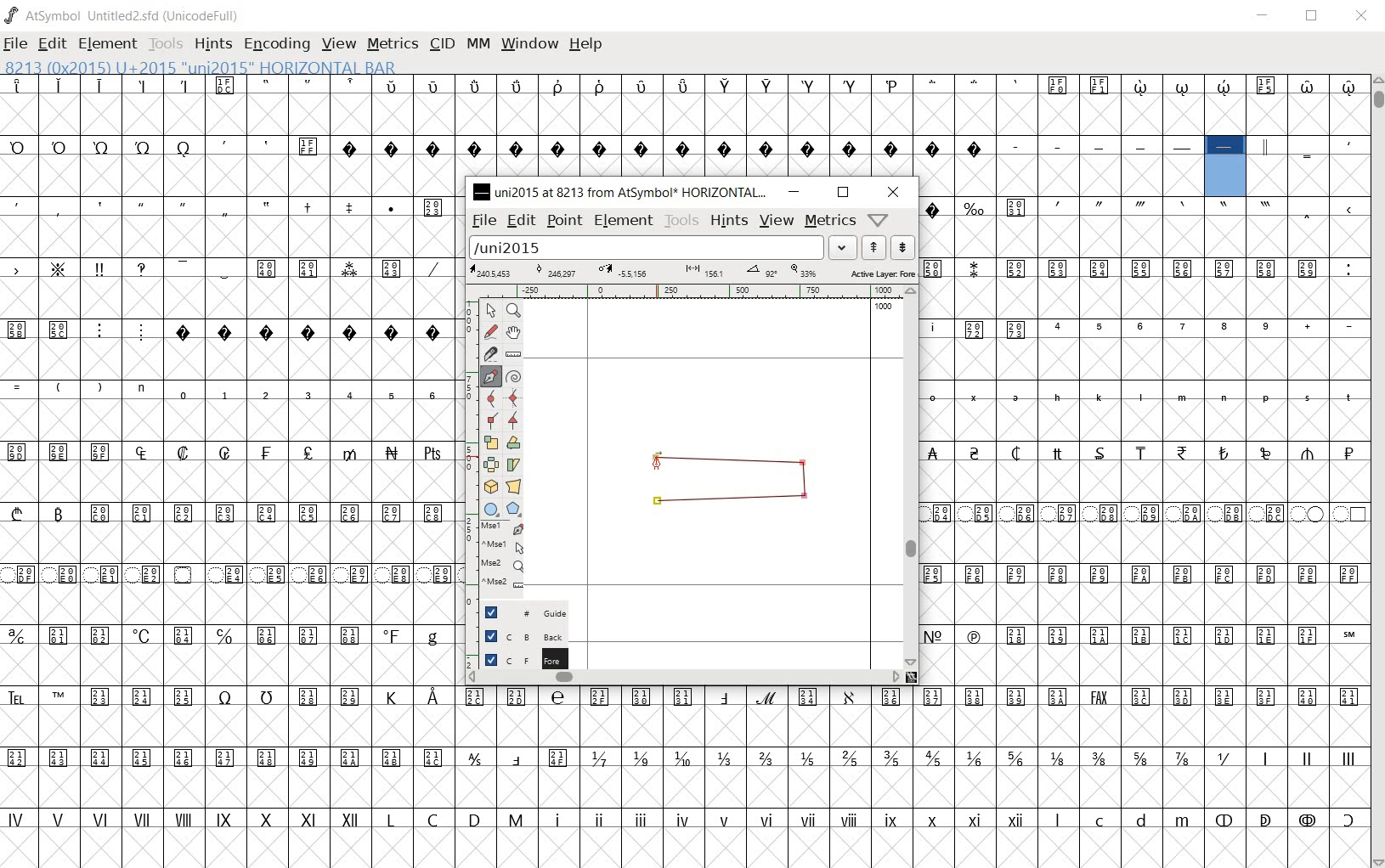 The height and width of the screenshot is (868, 1385). I want to click on scrollbar, so click(914, 478).